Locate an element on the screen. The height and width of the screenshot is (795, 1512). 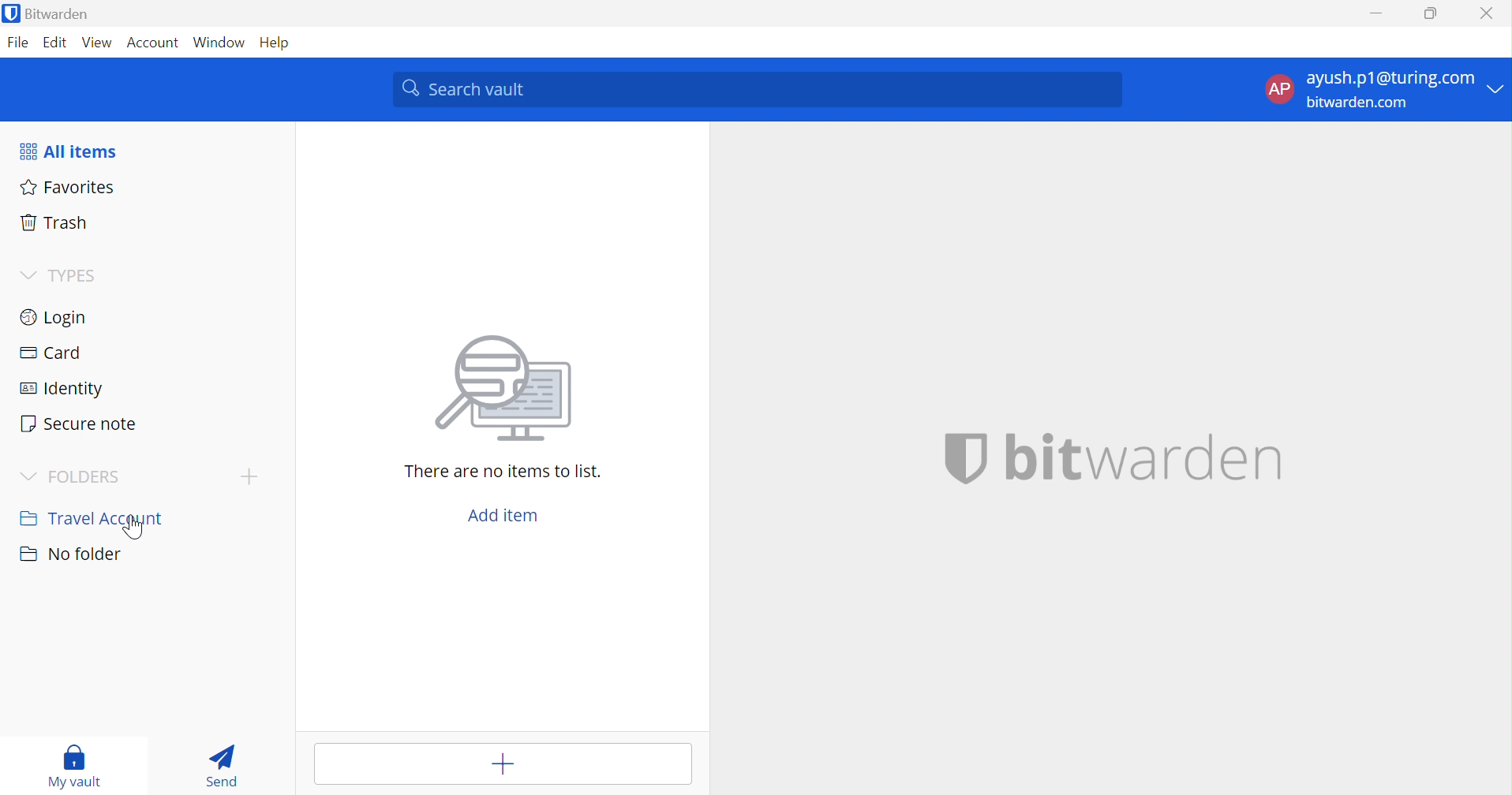
Card is located at coordinates (51, 353).